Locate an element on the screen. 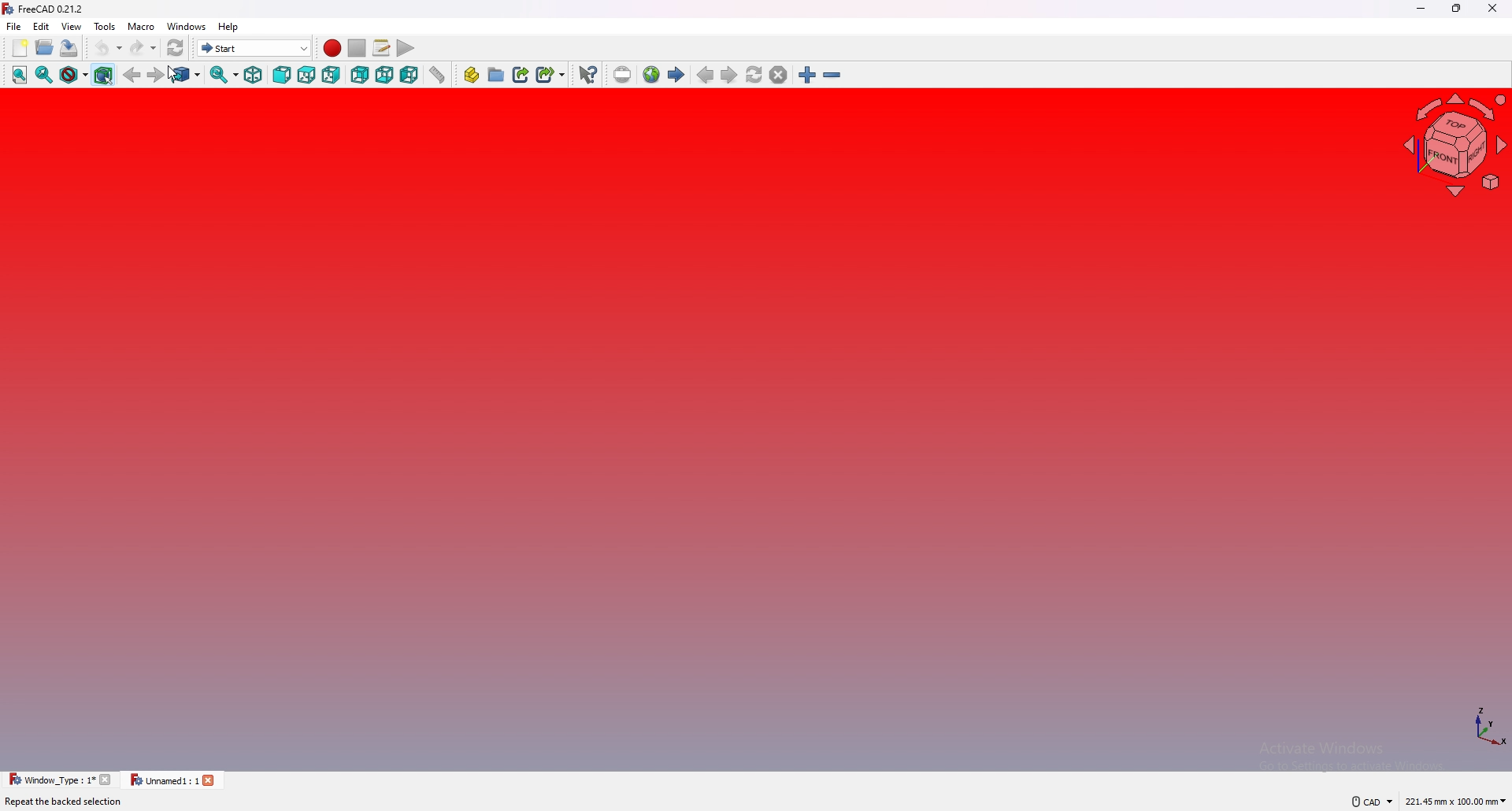 This screenshot has height=811, width=1512. execute macros is located at coordinates (406, 49).